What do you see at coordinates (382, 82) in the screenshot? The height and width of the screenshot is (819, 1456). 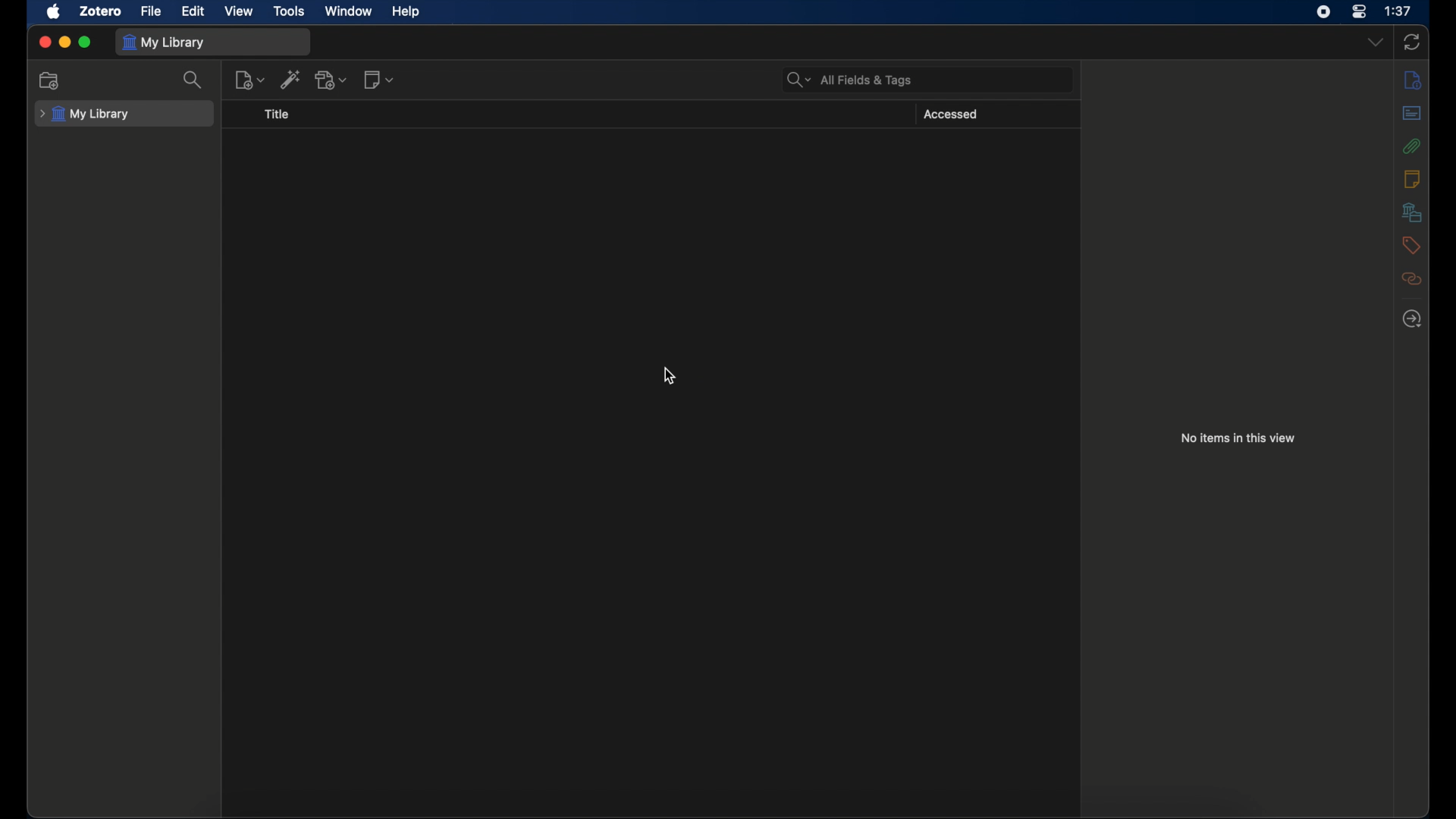 I see `new notes` at bounding box center [382, 82].